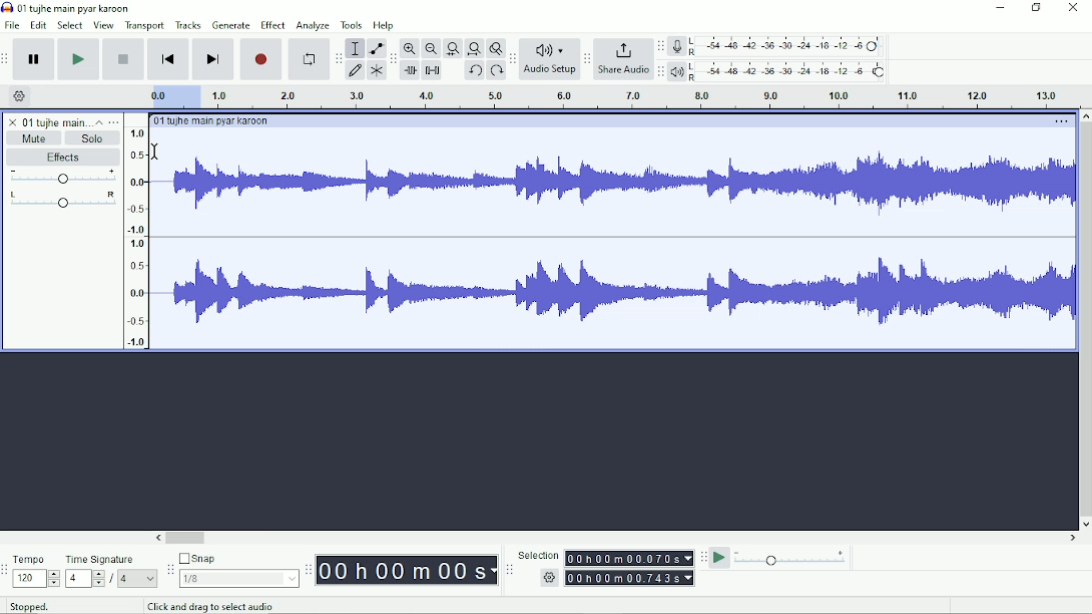  Describe the element at coordinates (495, 48) in the screenshot. I see `Zoom toggle` at that location.